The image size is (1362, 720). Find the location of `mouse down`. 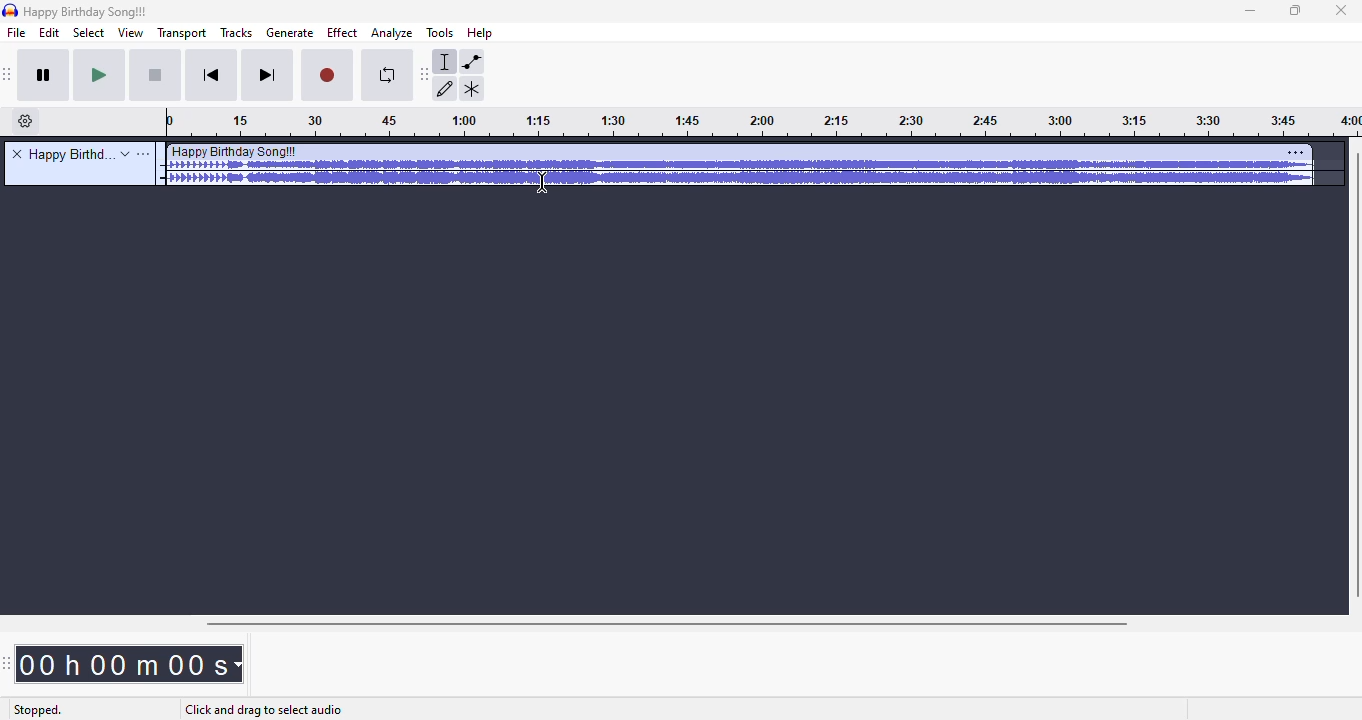

mouse down is located at coordinates (541, 182).